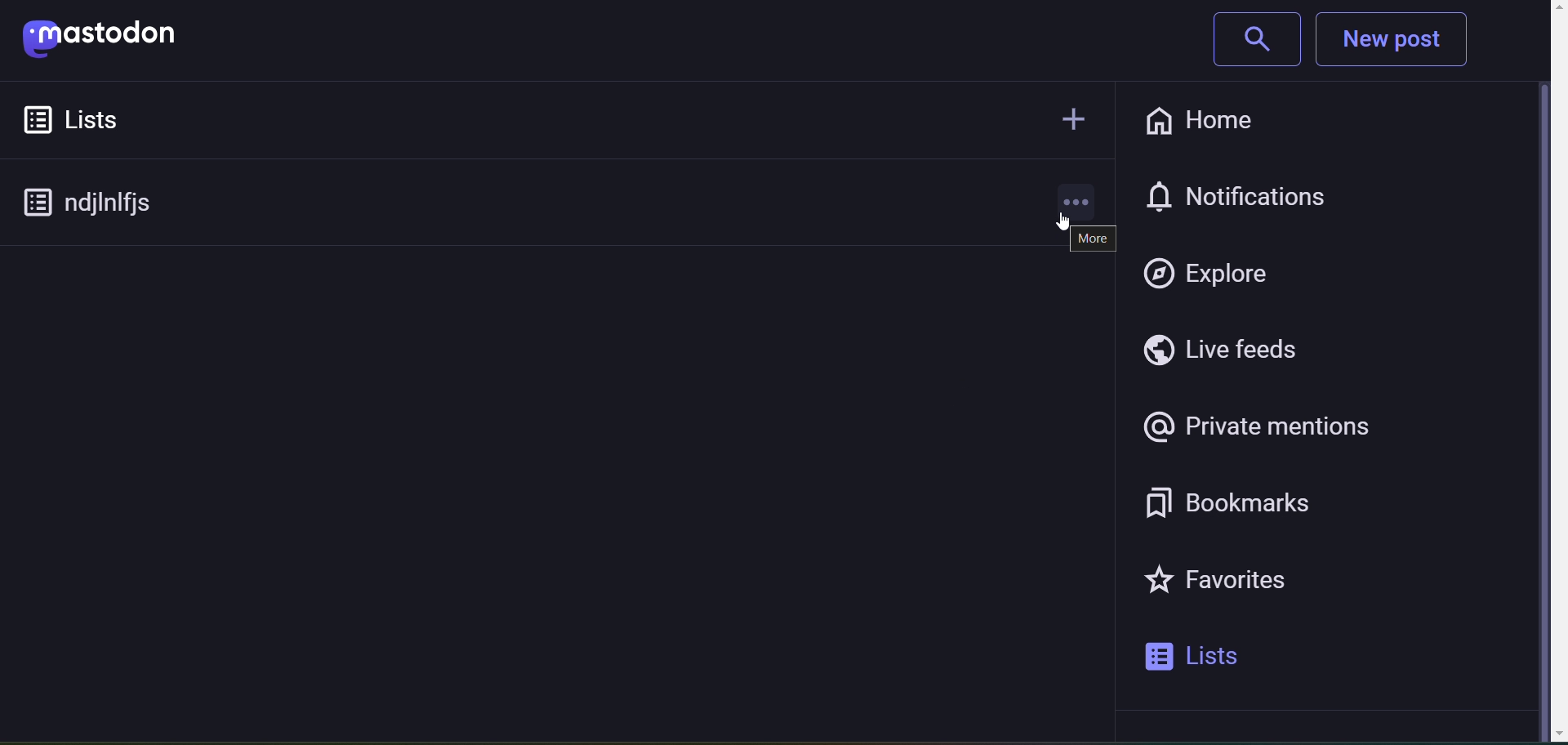 The image size is (1568, 745). I want to click on bookmarks, so click(1250, 503).